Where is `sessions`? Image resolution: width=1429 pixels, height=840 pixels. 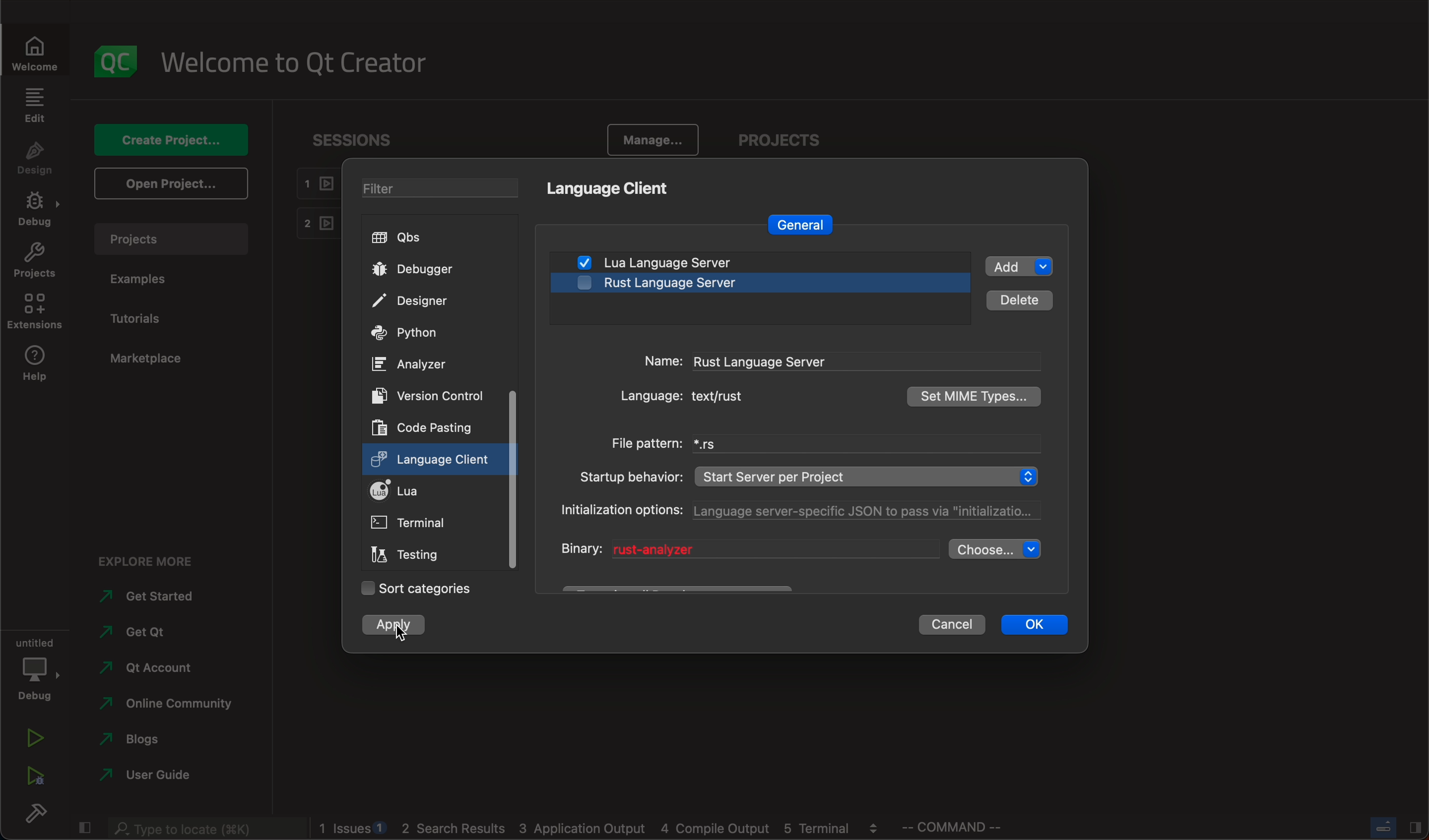
sessions is located at coordinates (353, 144).